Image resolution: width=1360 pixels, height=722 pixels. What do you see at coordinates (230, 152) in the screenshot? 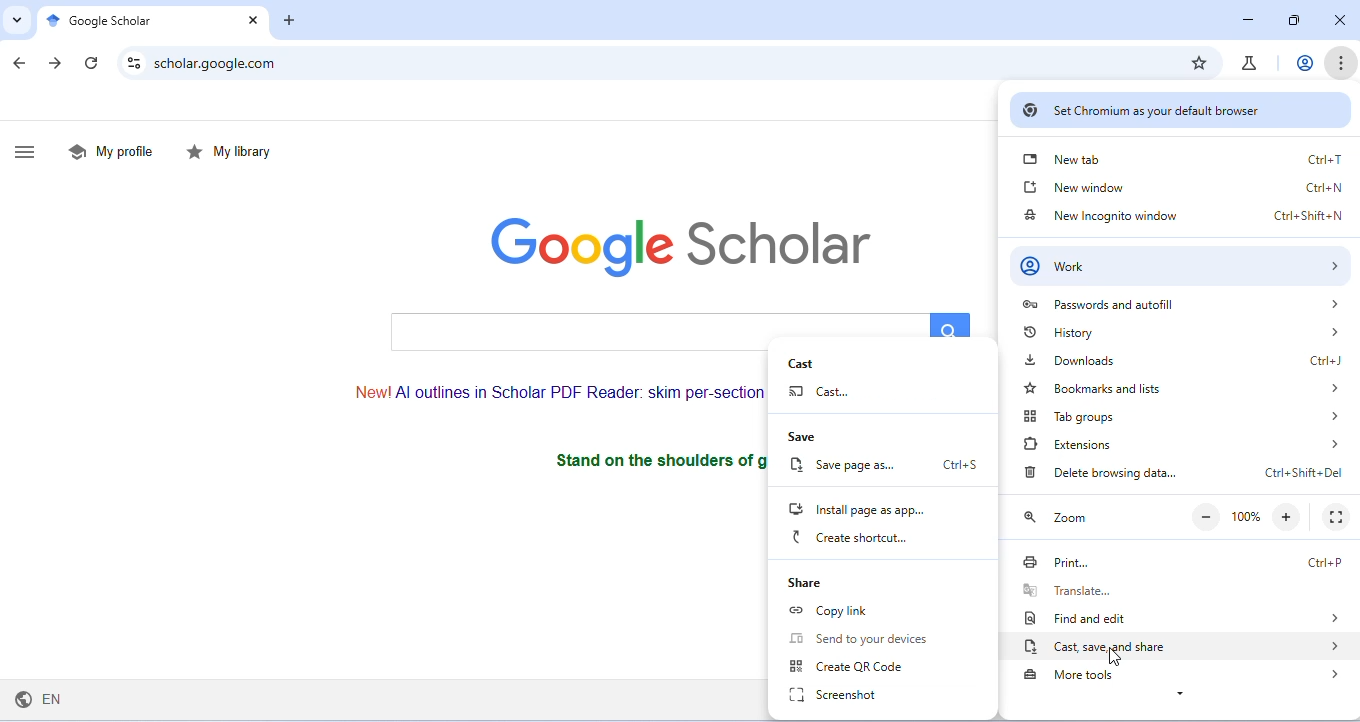
I see `my library` at bounding box center [230, 152].